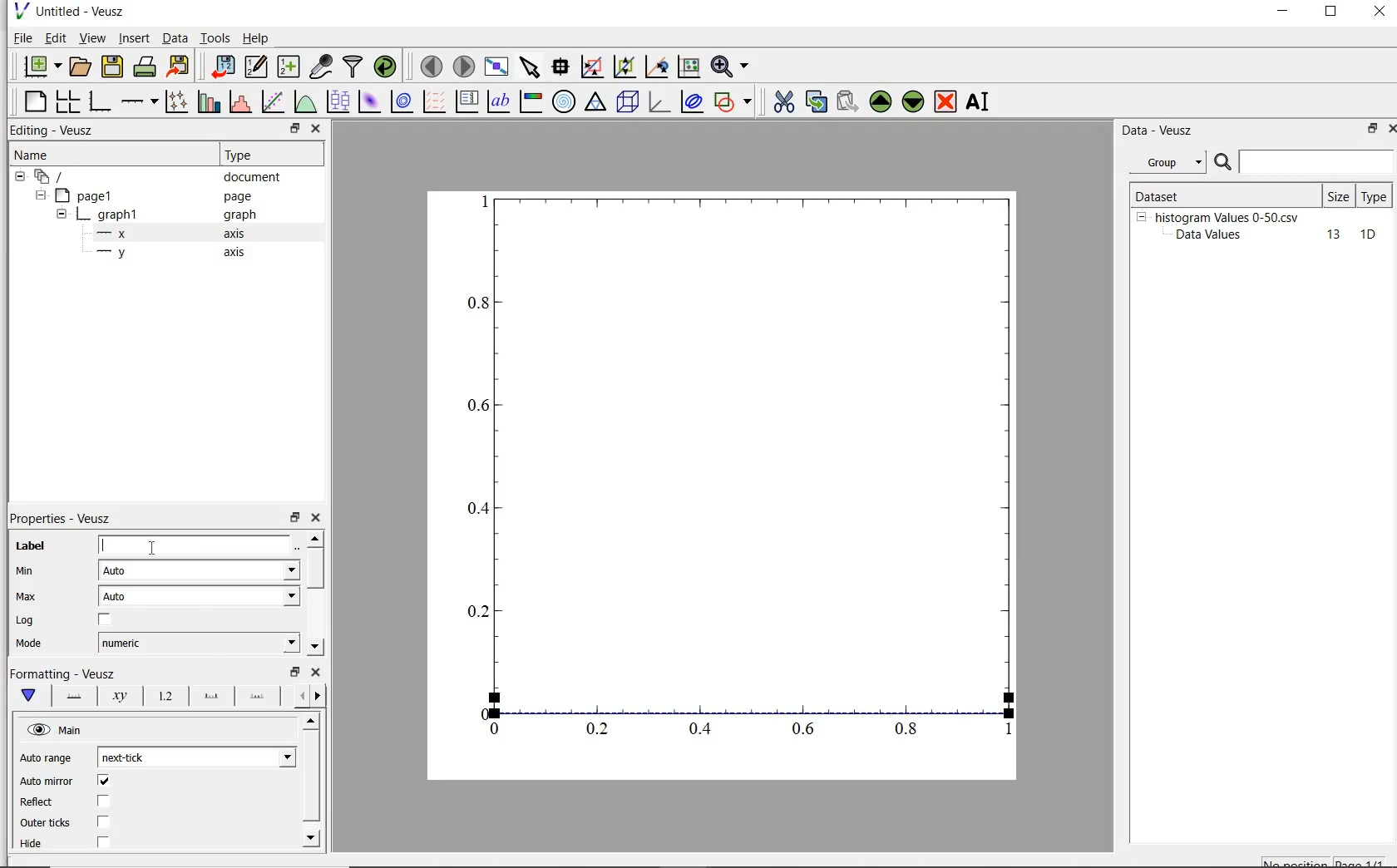 The height and width of the screenshot is (868, 1397). Describe the element at coordinates (1338, 196) in the screenshot. I see `size` at that location.